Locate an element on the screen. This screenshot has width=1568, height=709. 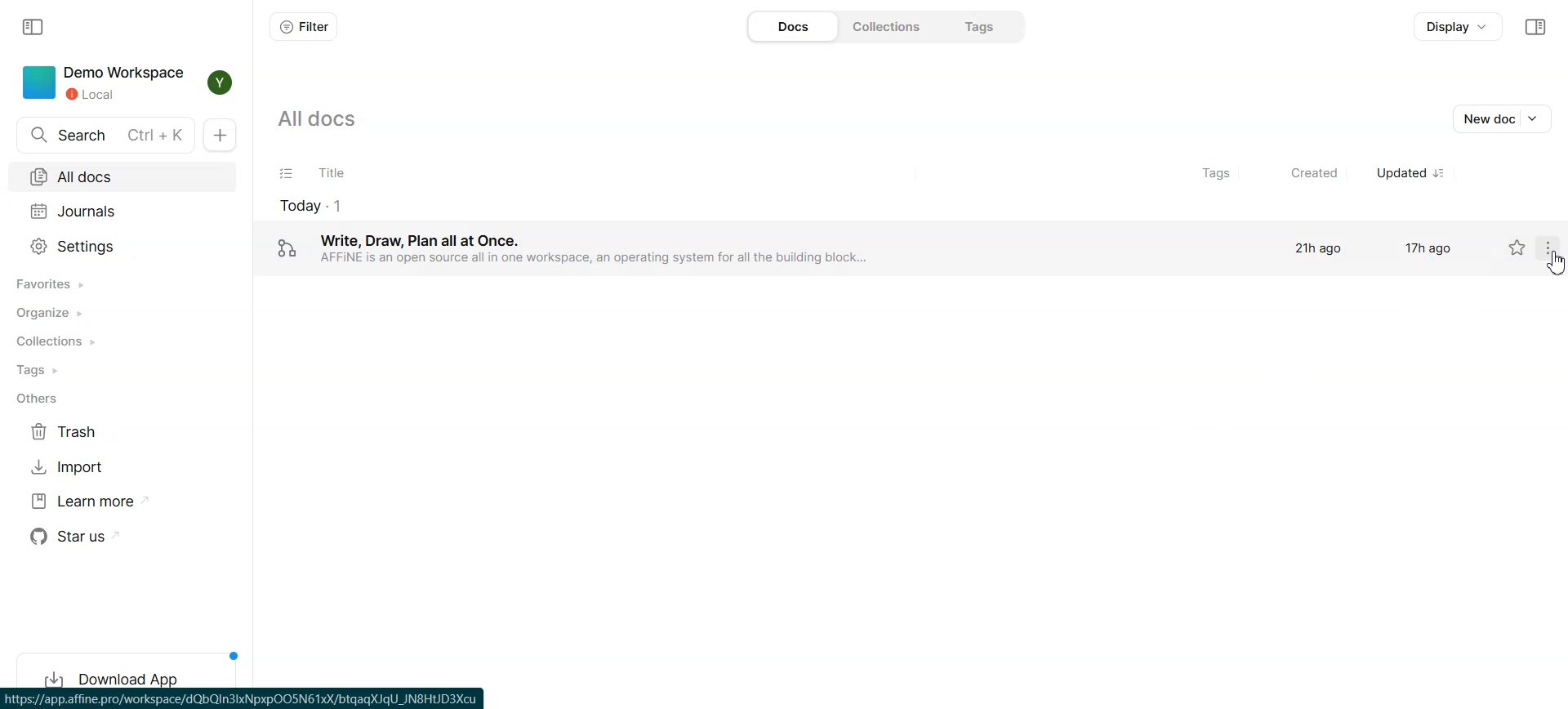
‘Write, Draw, Plan all at Once. 21h ago 17h ago
AFFINE is an open source all in one workspace, an operating system for all the building block is located at coordinates (862, 252).